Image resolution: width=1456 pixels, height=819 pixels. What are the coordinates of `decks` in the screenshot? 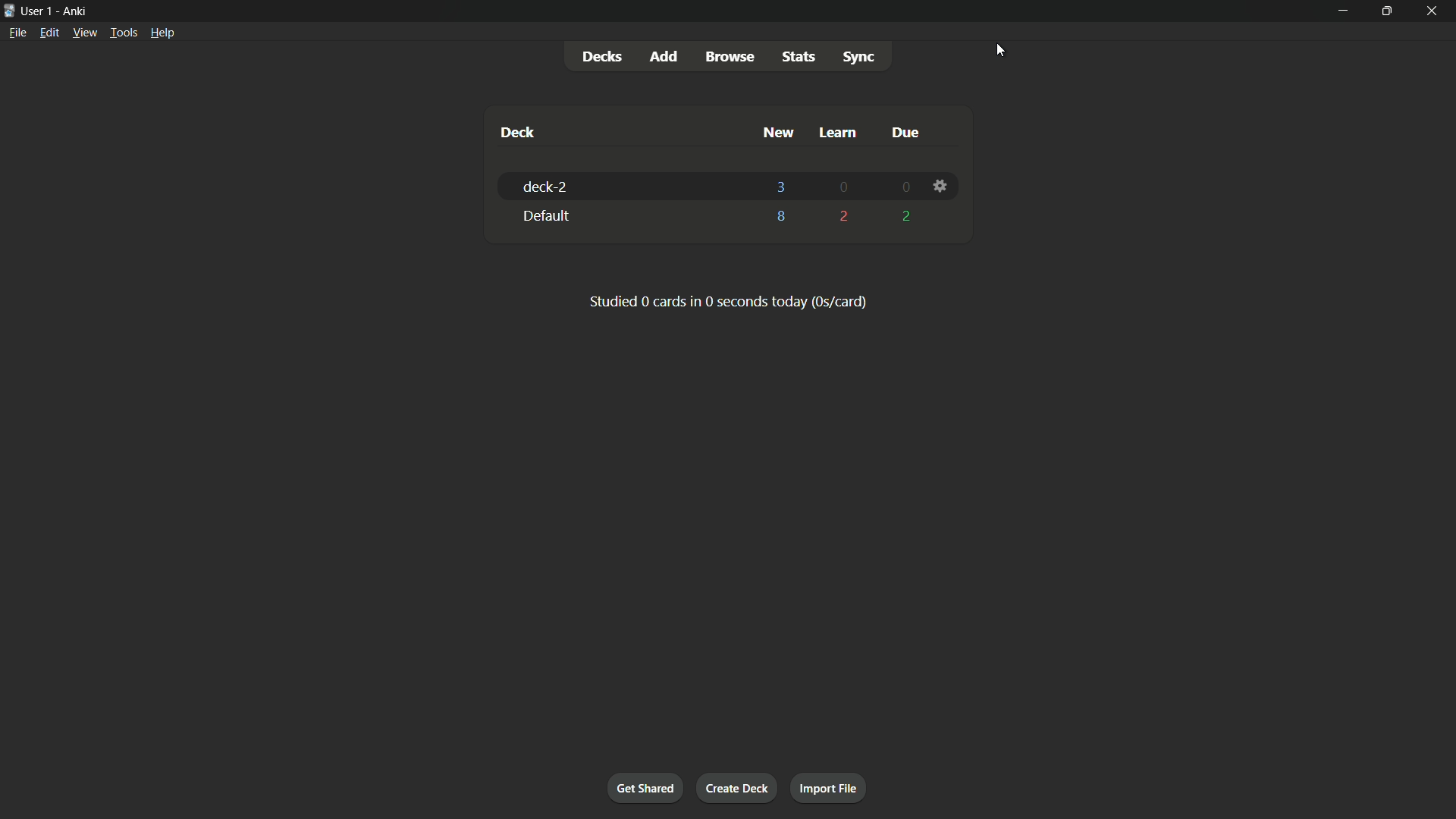 It's located at (606, 56).